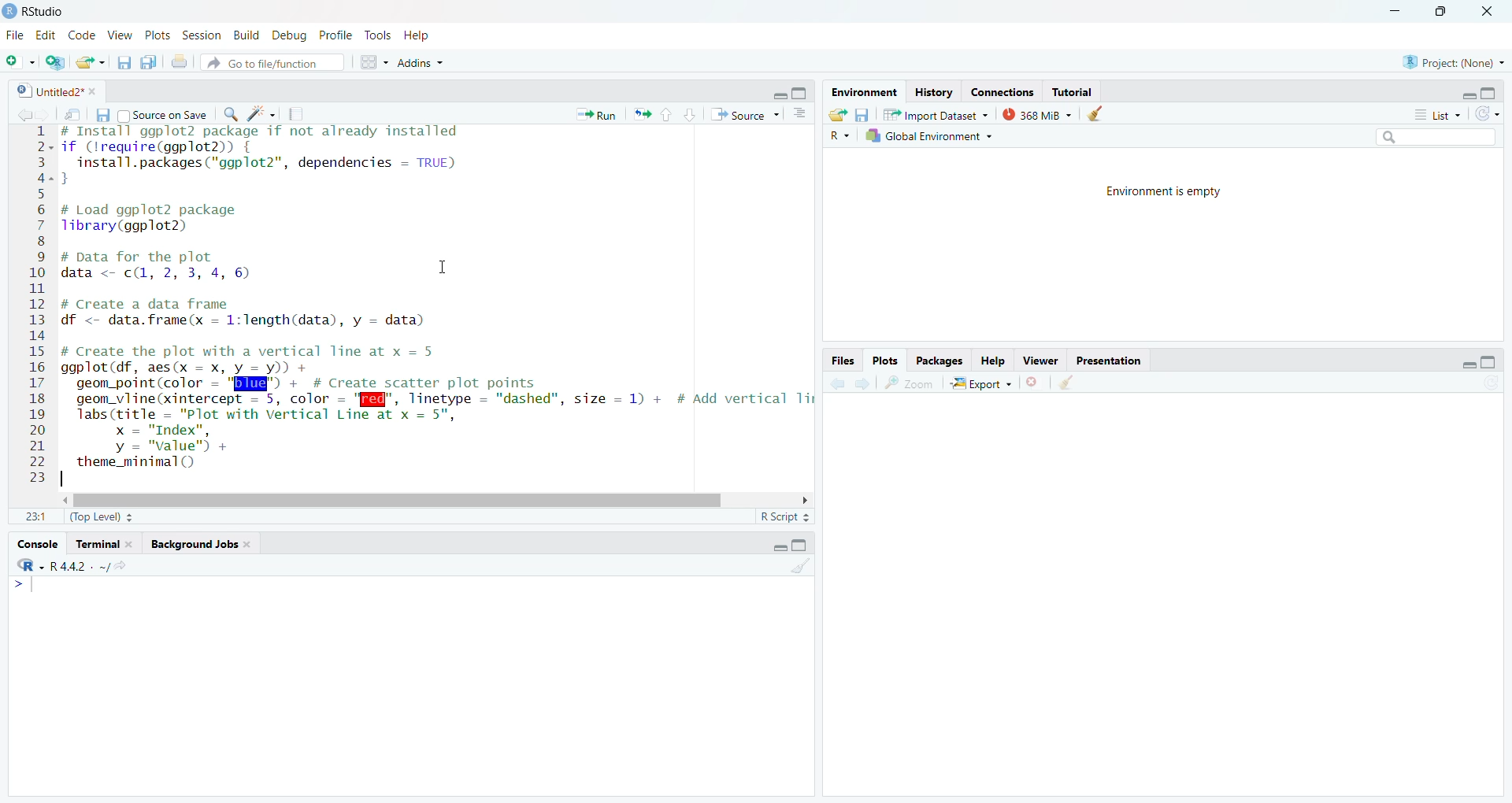 This screenshot has height=803, width=1512. What do you see at coordinates (750, 115) in the screenshot?
I see `“* Source ~` at bounding box center [750, 115].